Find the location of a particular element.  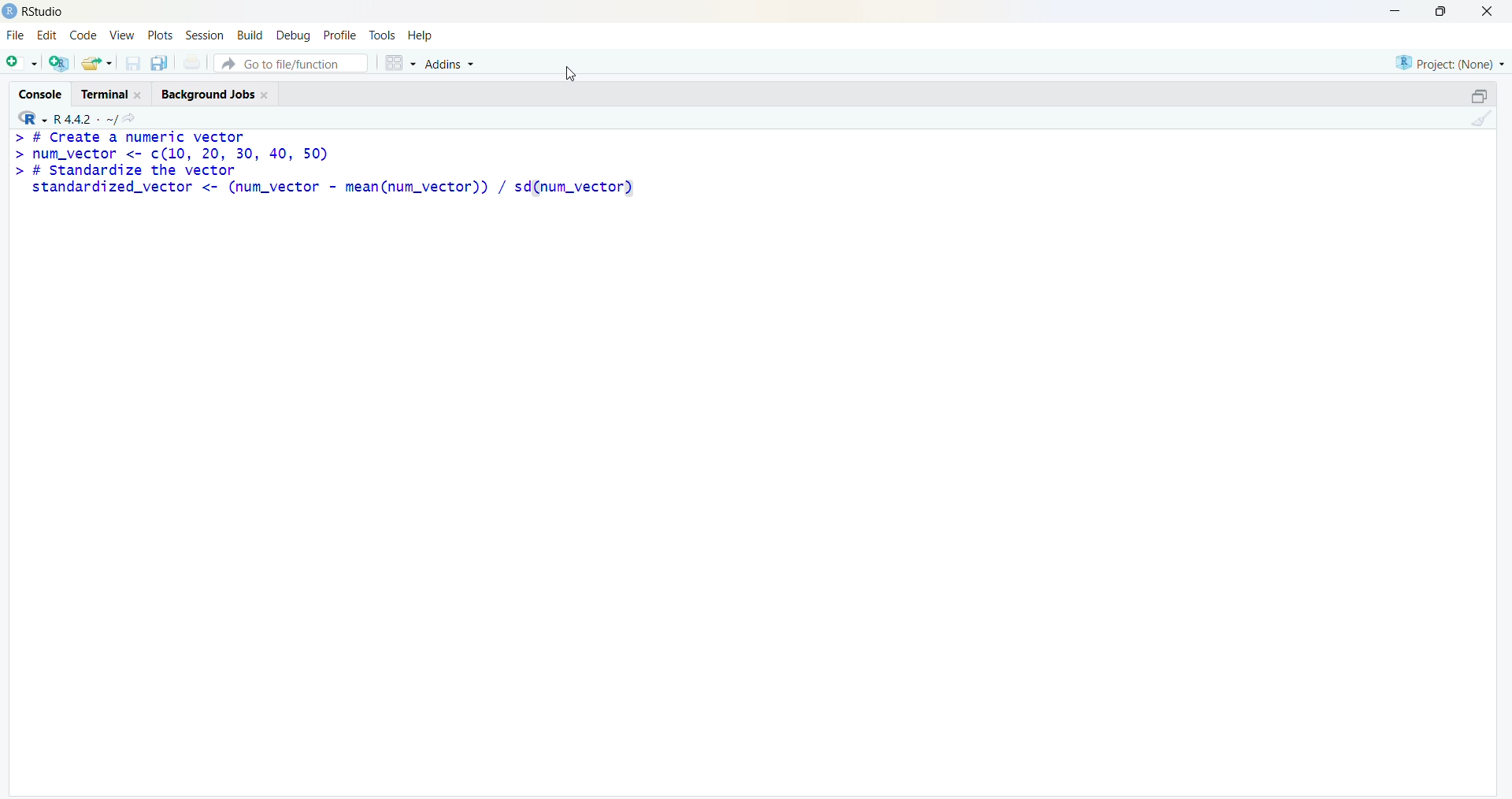

terminal is located at coordinates (106, 95).